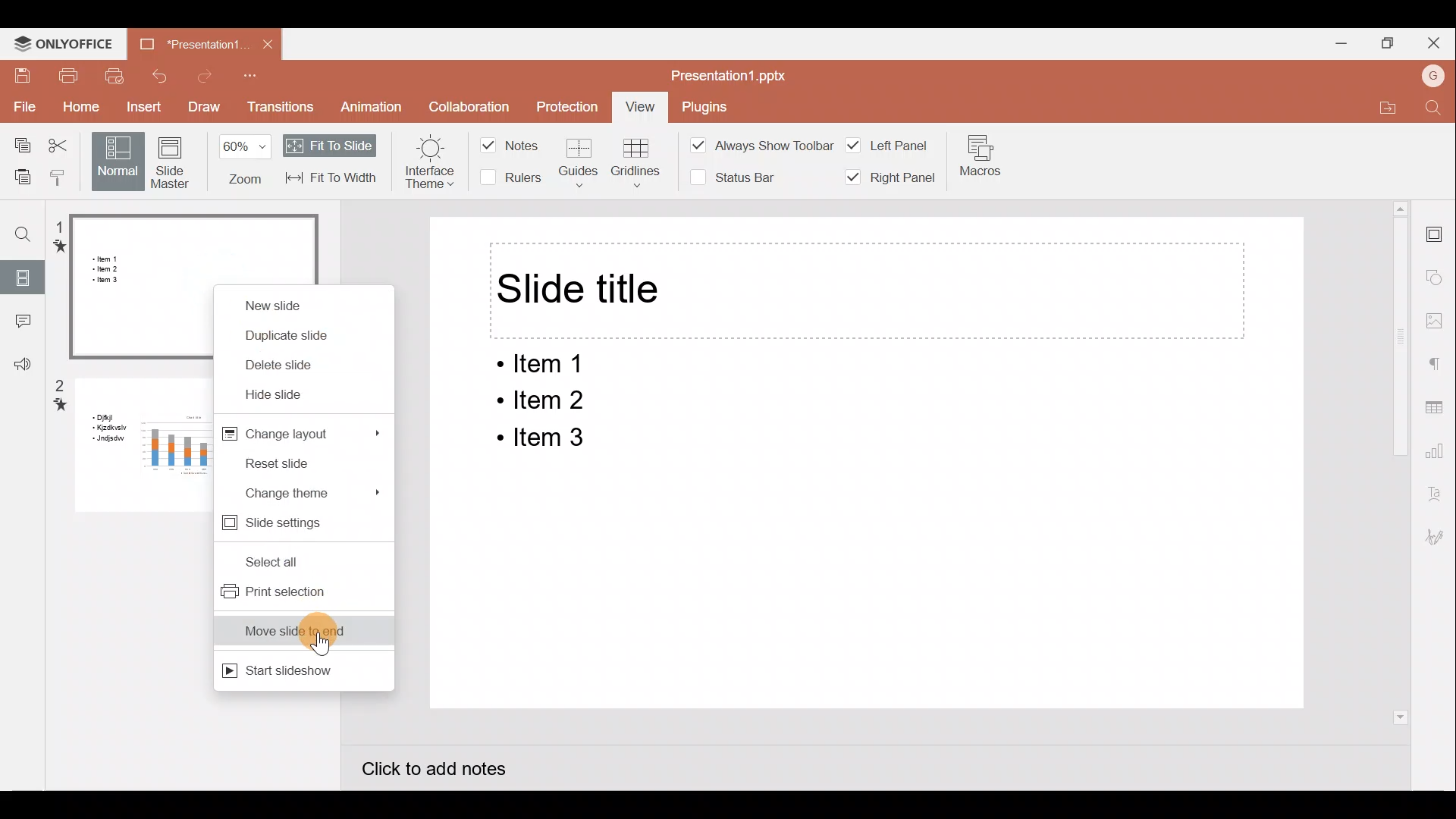  What do you see at coordinates (537, 400) in the screenshot?
I see `ltem 2` at bounding box center [537, 400].